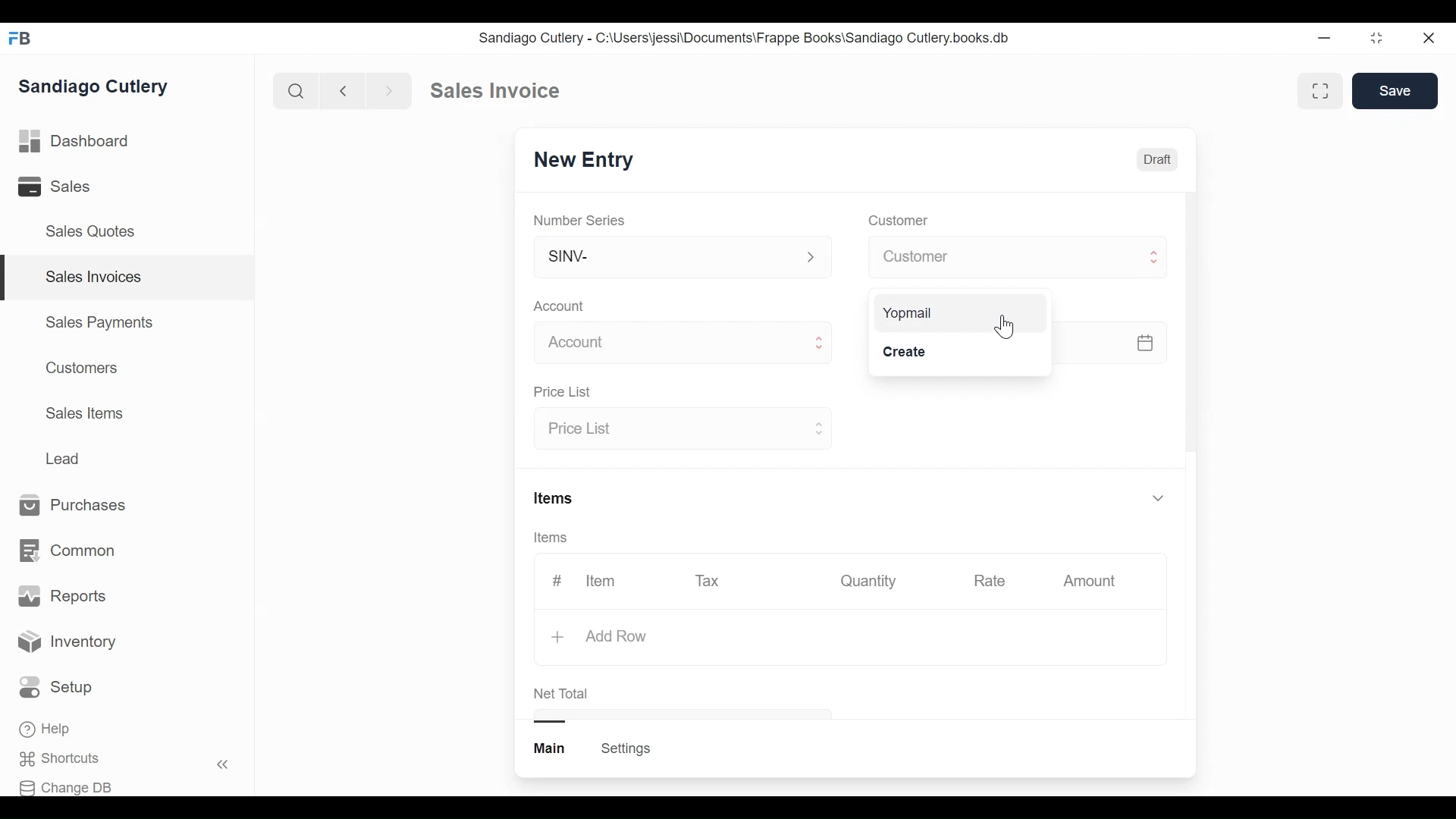  I want to click on Sandiago Cutlery - C:\Users\jessi\Documents\Frappe Books\Sandiago Cutlery.books.db, so click(742, 37).